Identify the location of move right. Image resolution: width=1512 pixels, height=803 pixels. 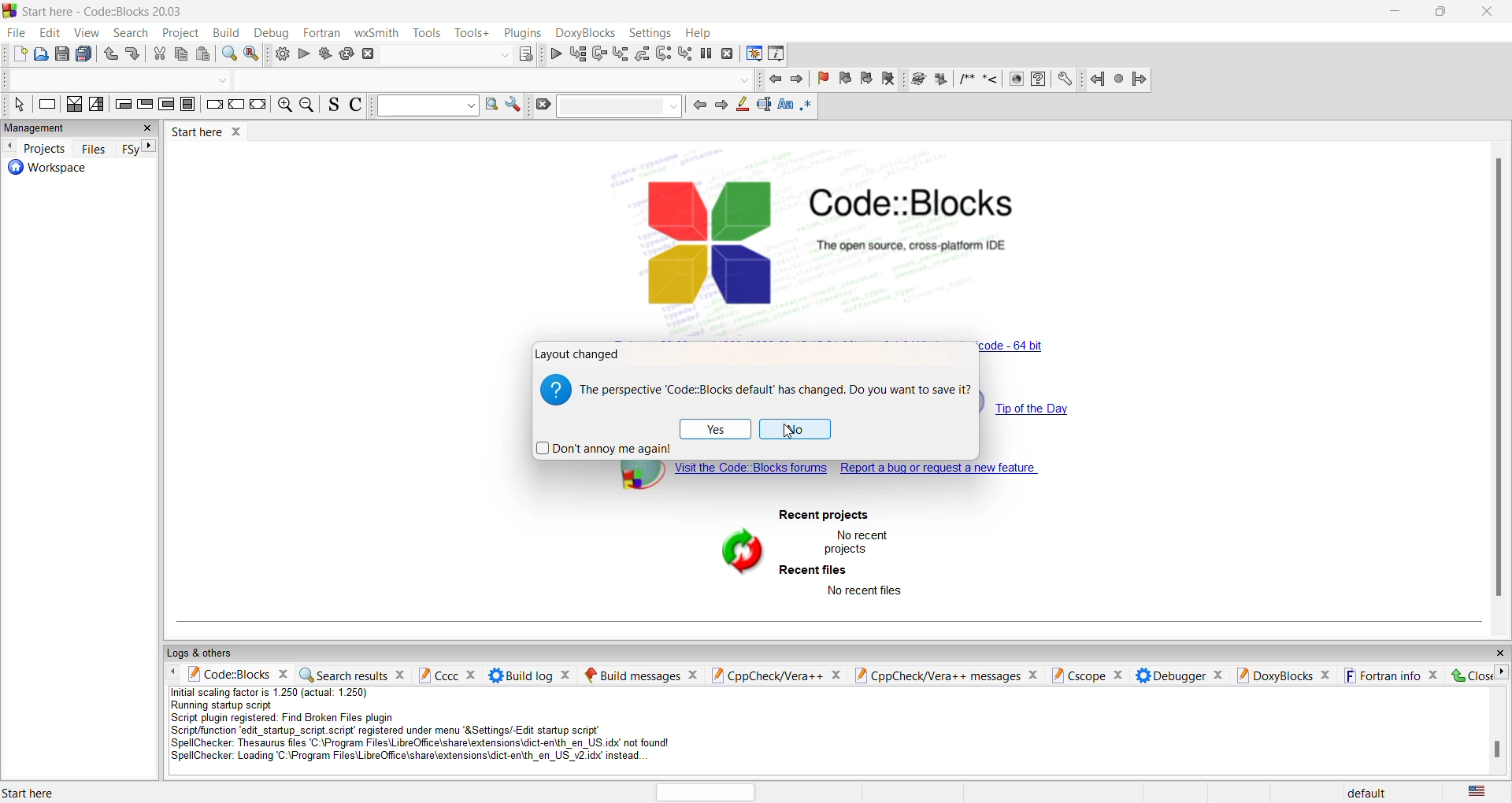
(150, 146).